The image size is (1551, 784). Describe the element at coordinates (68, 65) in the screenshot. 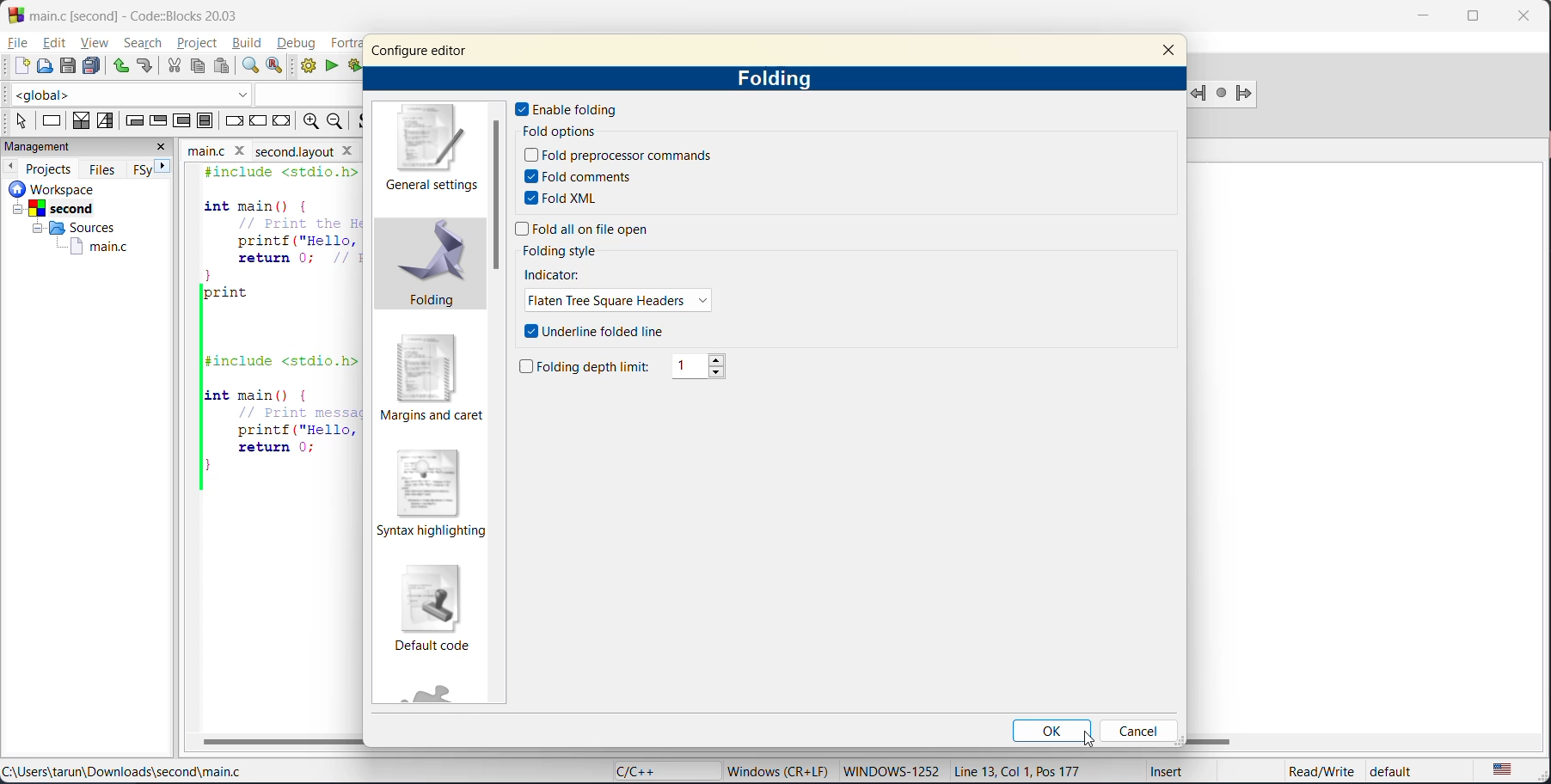

I see `save` at that location.